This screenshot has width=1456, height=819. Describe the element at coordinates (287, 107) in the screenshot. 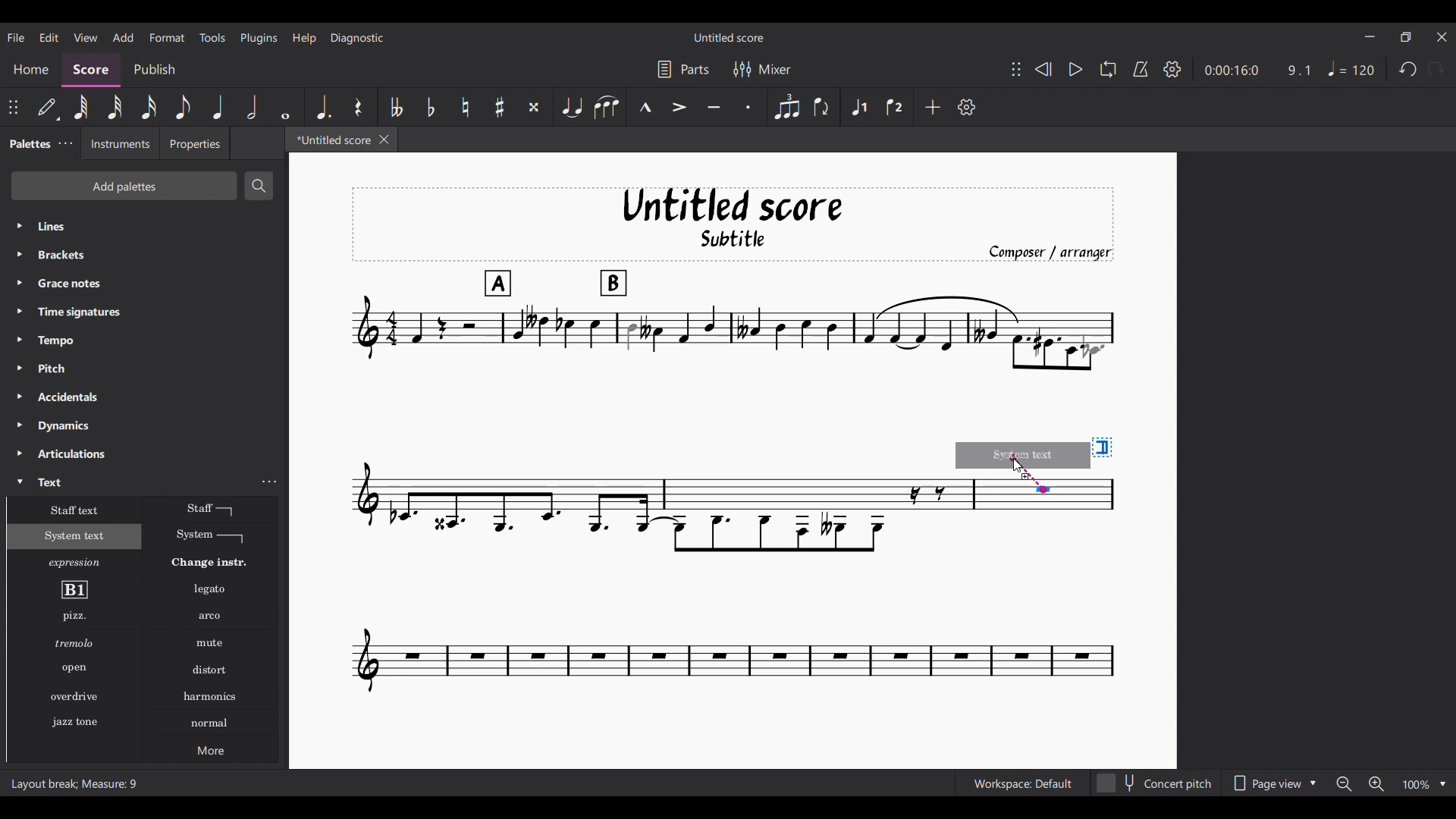

I see `Whole note` at that location.